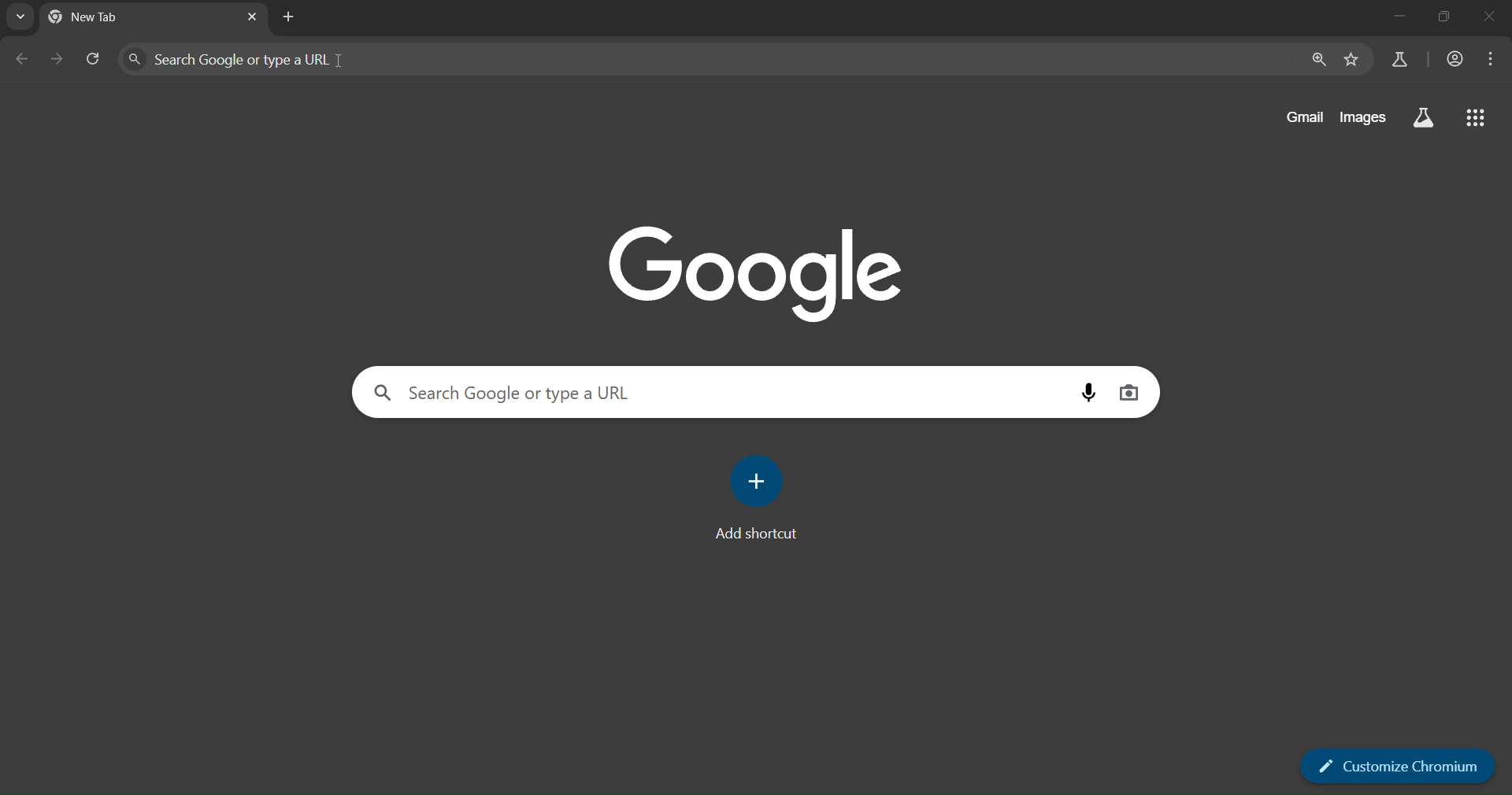  What do you see at coordinates (1352, 60) in the screenshot?
I see `bookmark page` at bounding box center [1352, 60].